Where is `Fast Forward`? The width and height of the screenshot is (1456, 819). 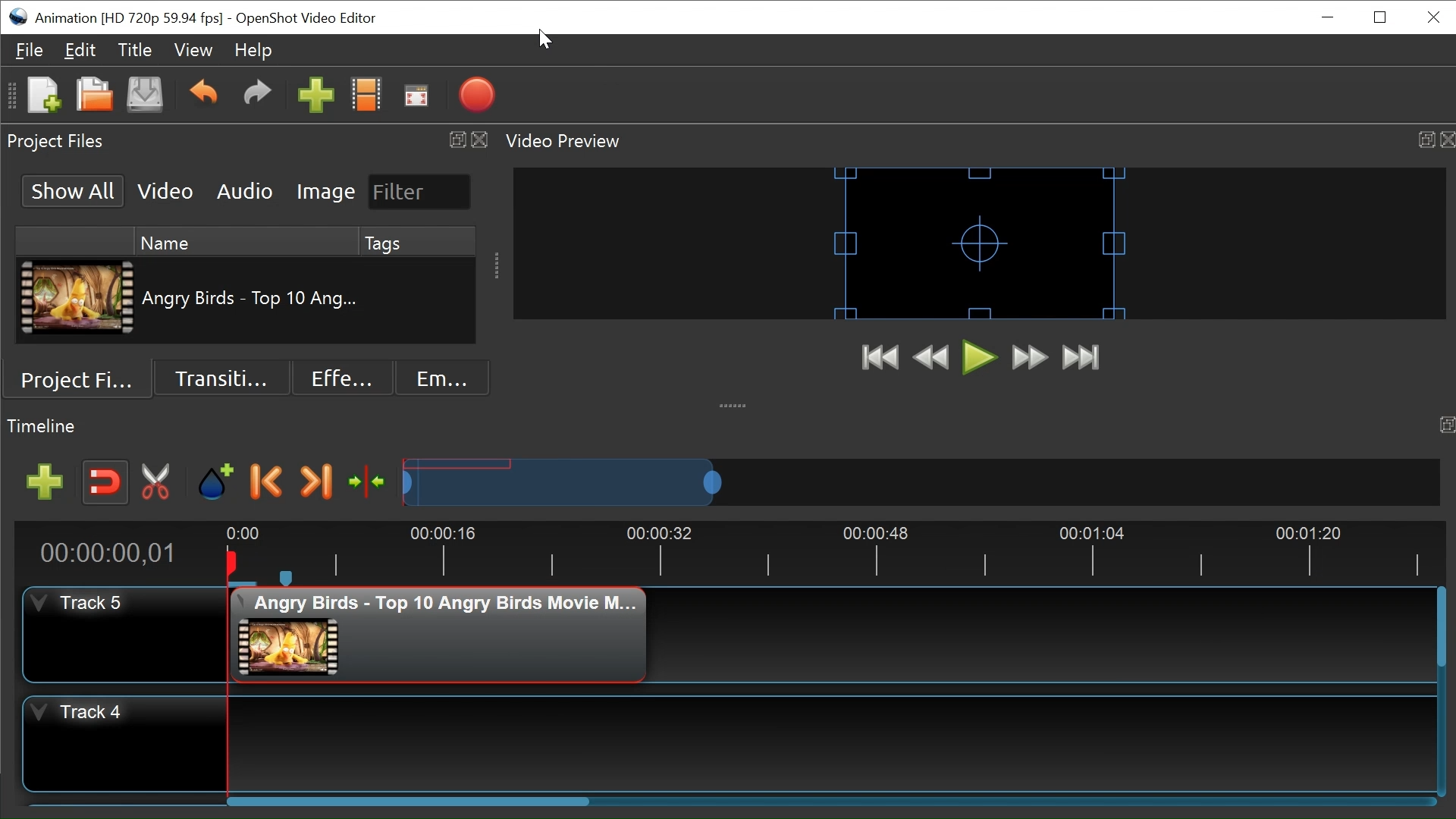 Fast Forward is located at coordinates (1030, 357).